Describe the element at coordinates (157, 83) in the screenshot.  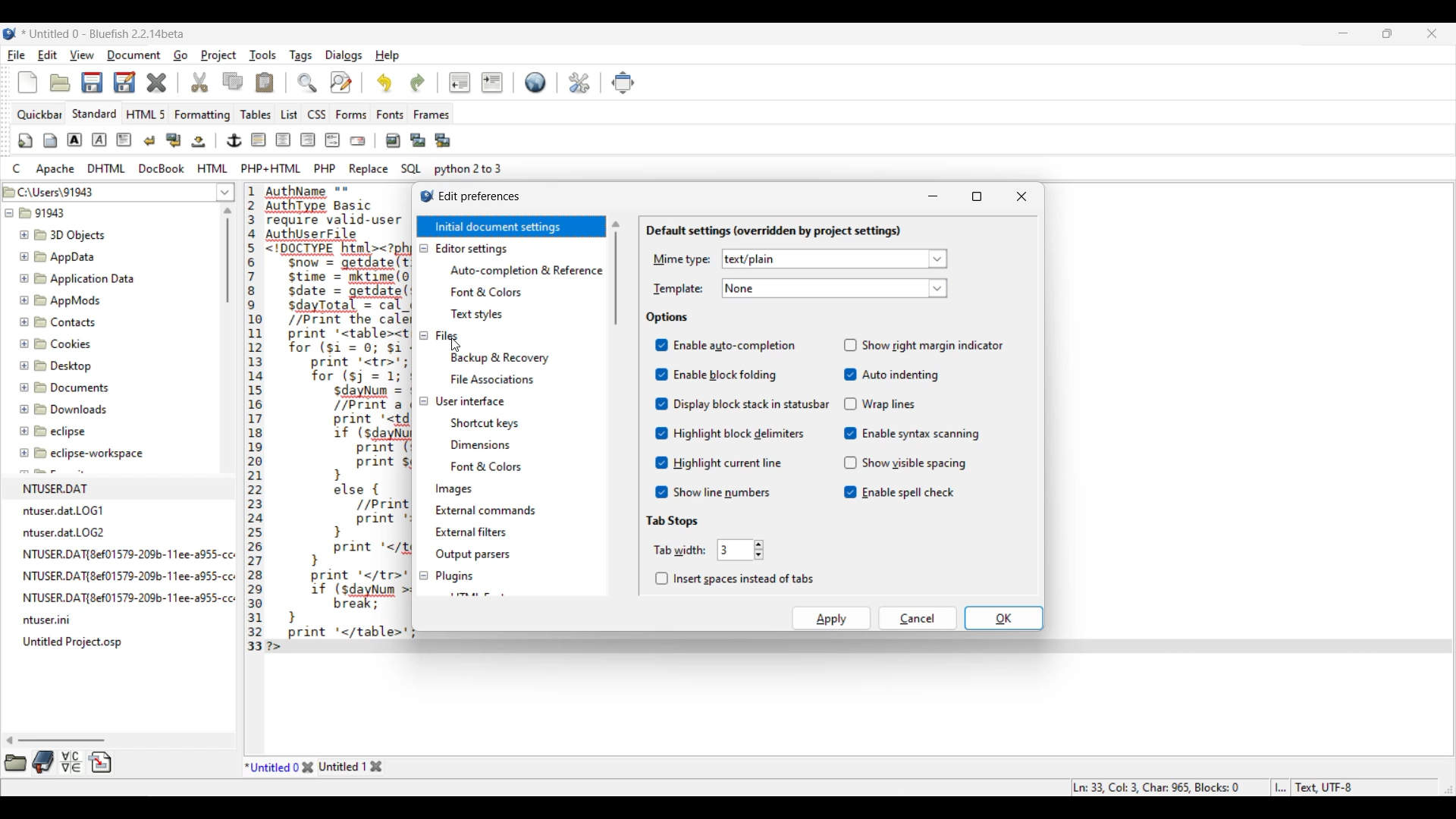
I see `Delete ` at that location.